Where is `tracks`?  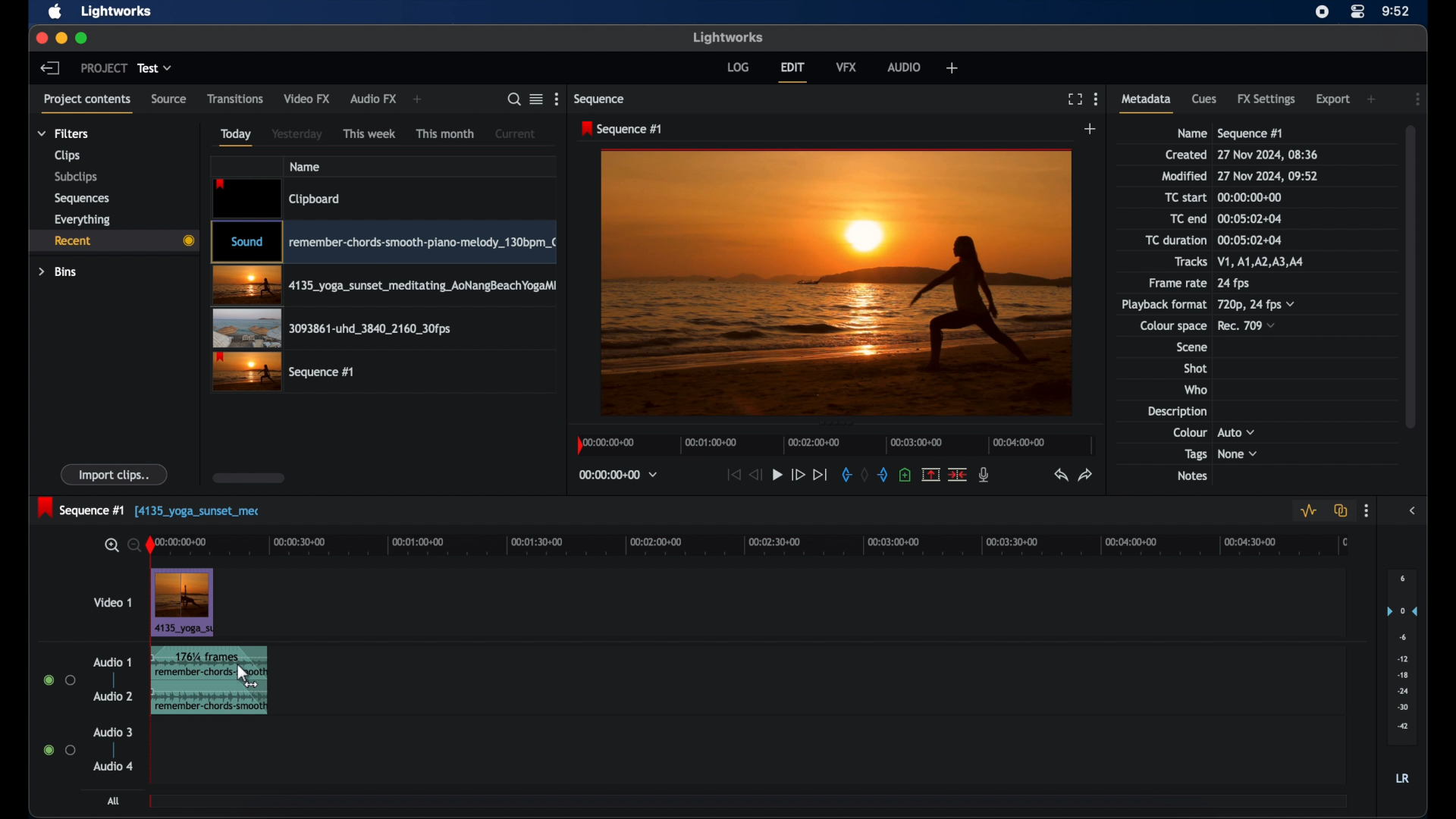
tracks is located at coordinates (1191, 262).